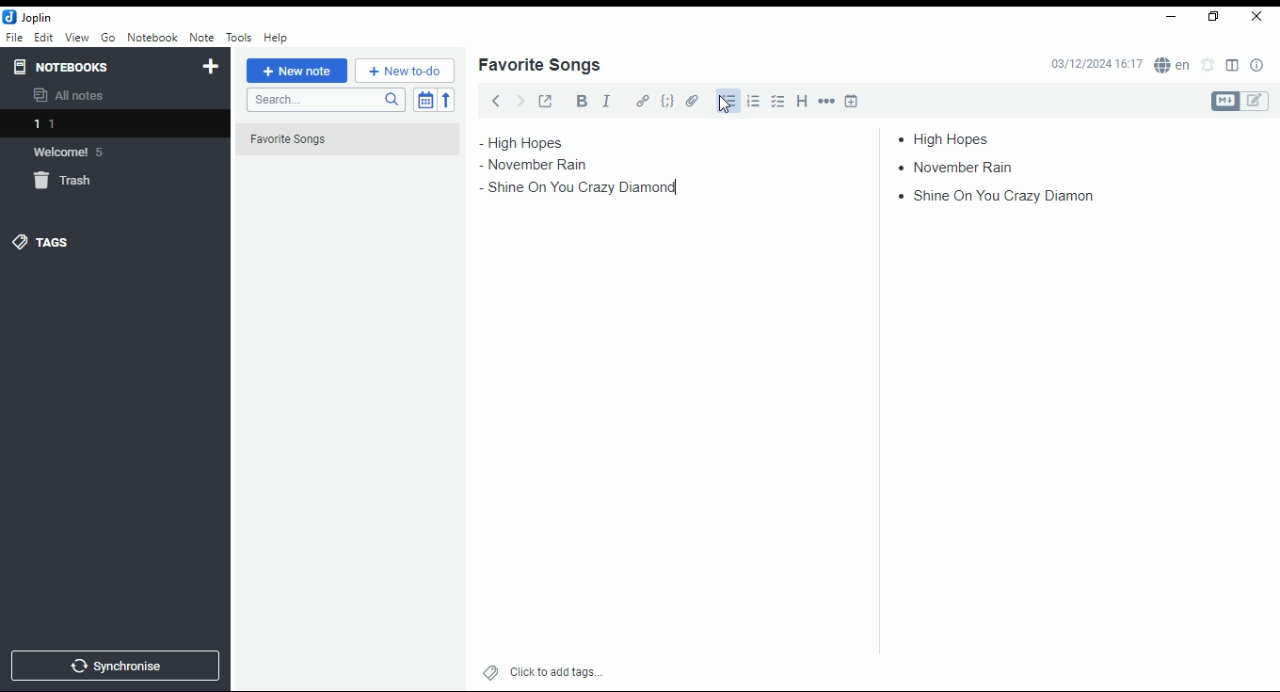  Describe the element at coordinates (74, 96) in the screenshot. I see `all notes` at that location.